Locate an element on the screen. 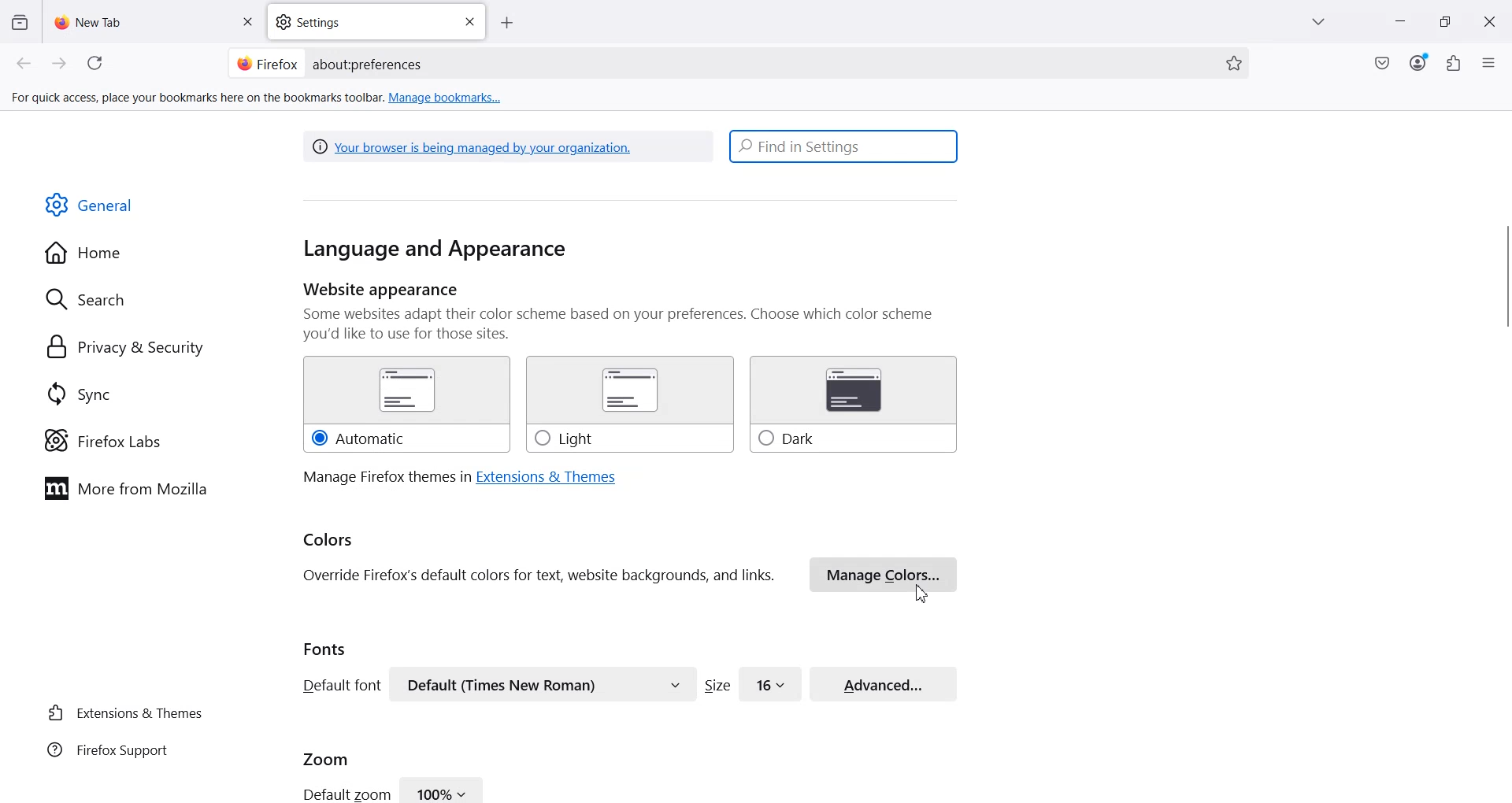 The height and width of the screenshot is (803, 1512). 89 Extensions & Themes is located at coordinates (124, 712).